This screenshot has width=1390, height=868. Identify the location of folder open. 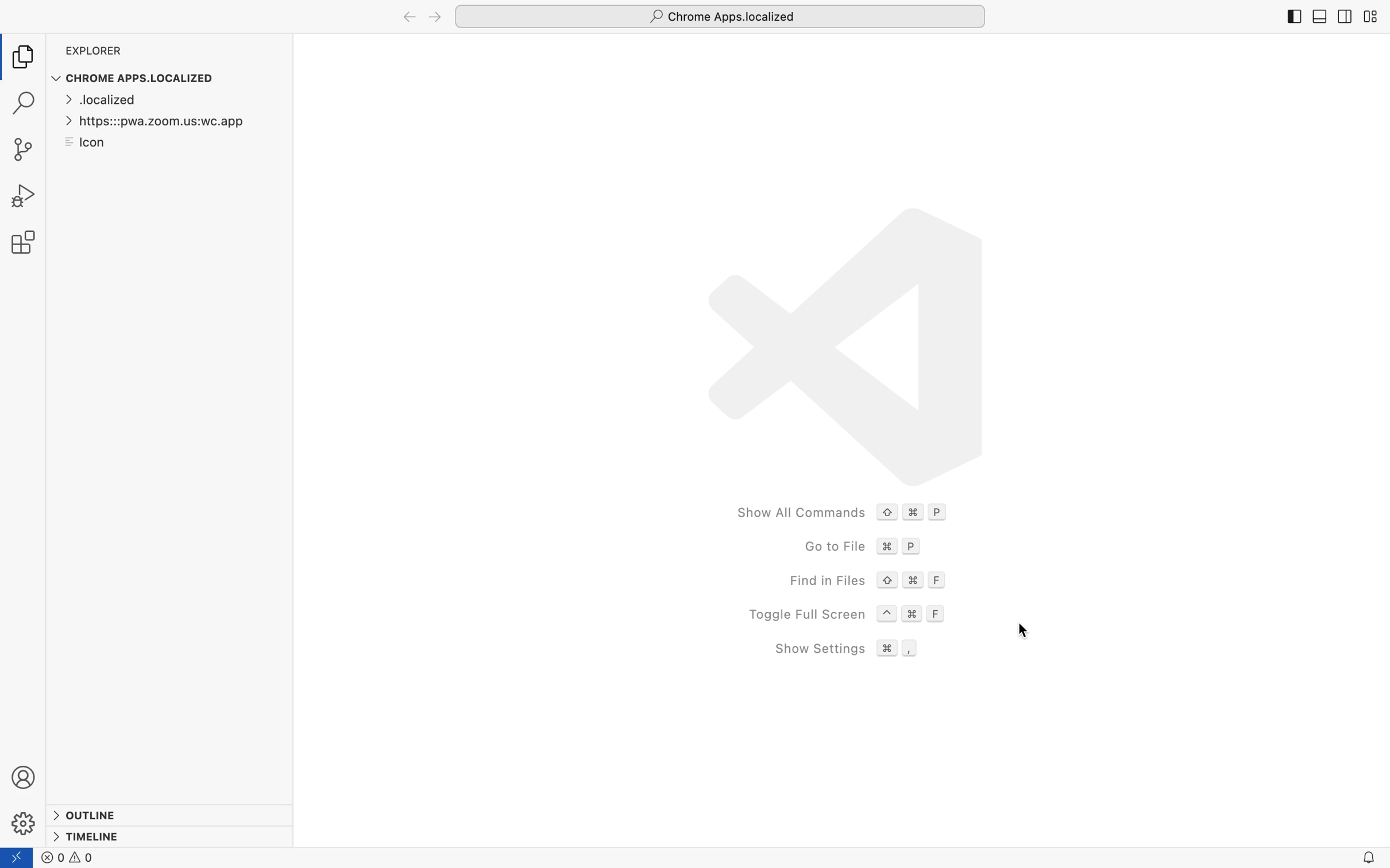
(168, 122).